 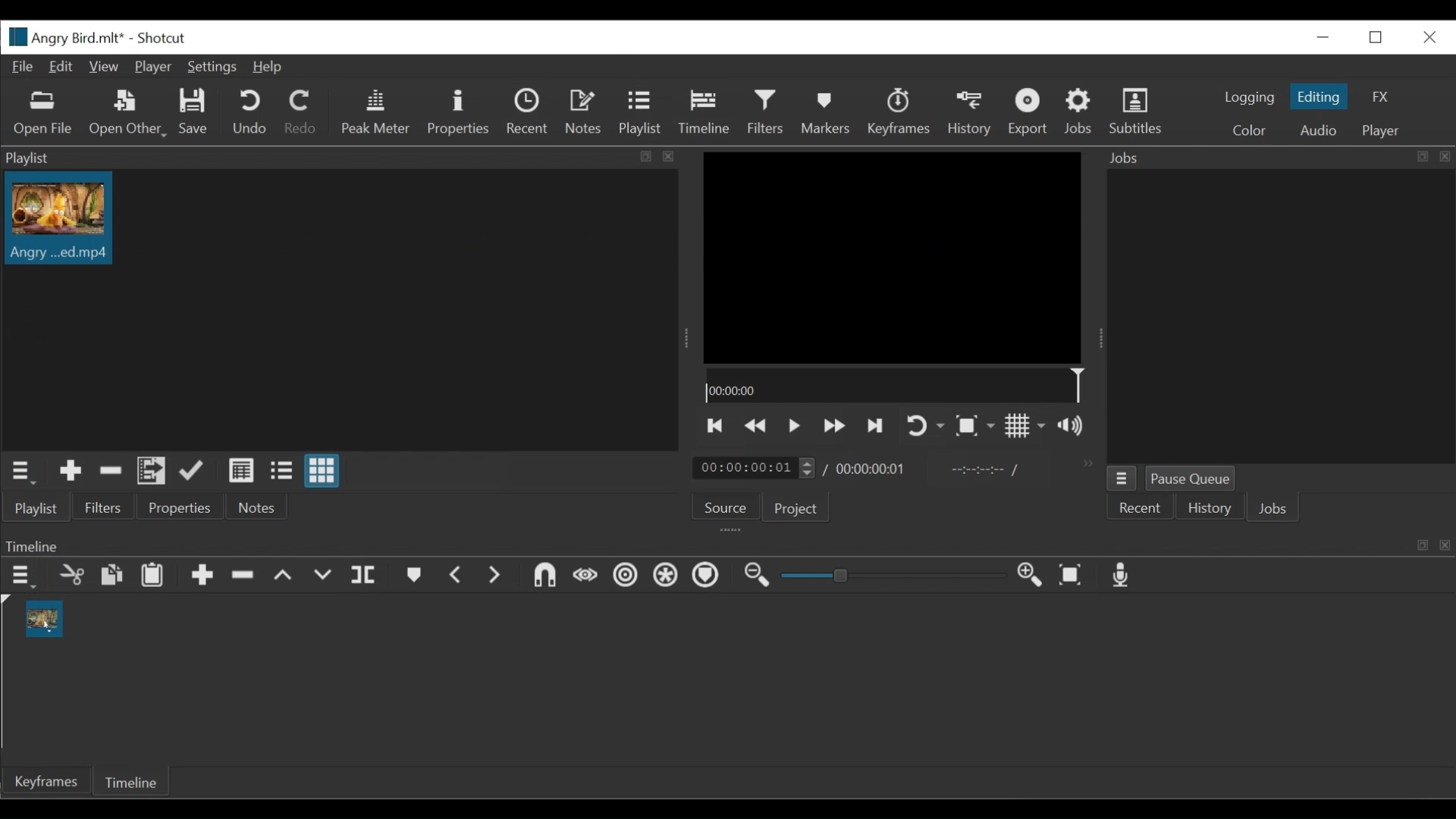 What do you see at coordinates (899, 113) in the screenshot?
I see `Keyframes` at bounding box center [899, 113].